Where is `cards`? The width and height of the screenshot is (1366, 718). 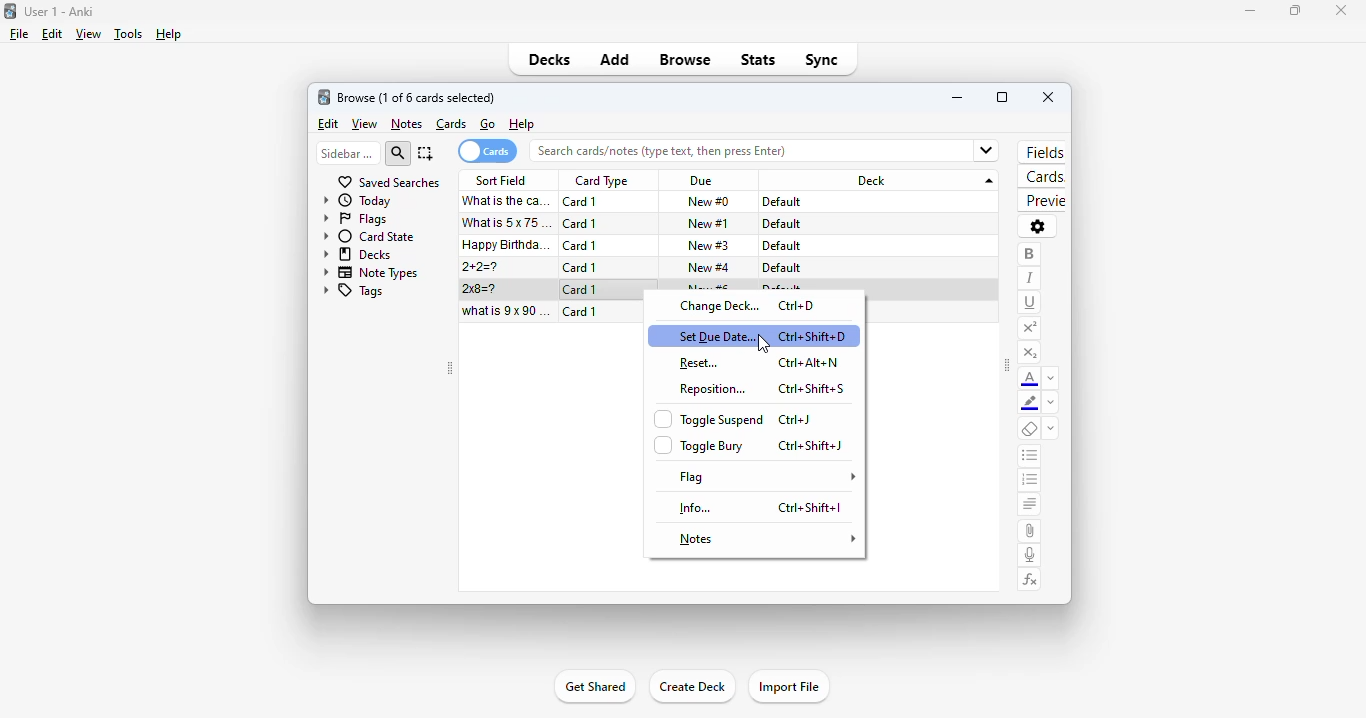
cards is located at coordinates (487, 151).